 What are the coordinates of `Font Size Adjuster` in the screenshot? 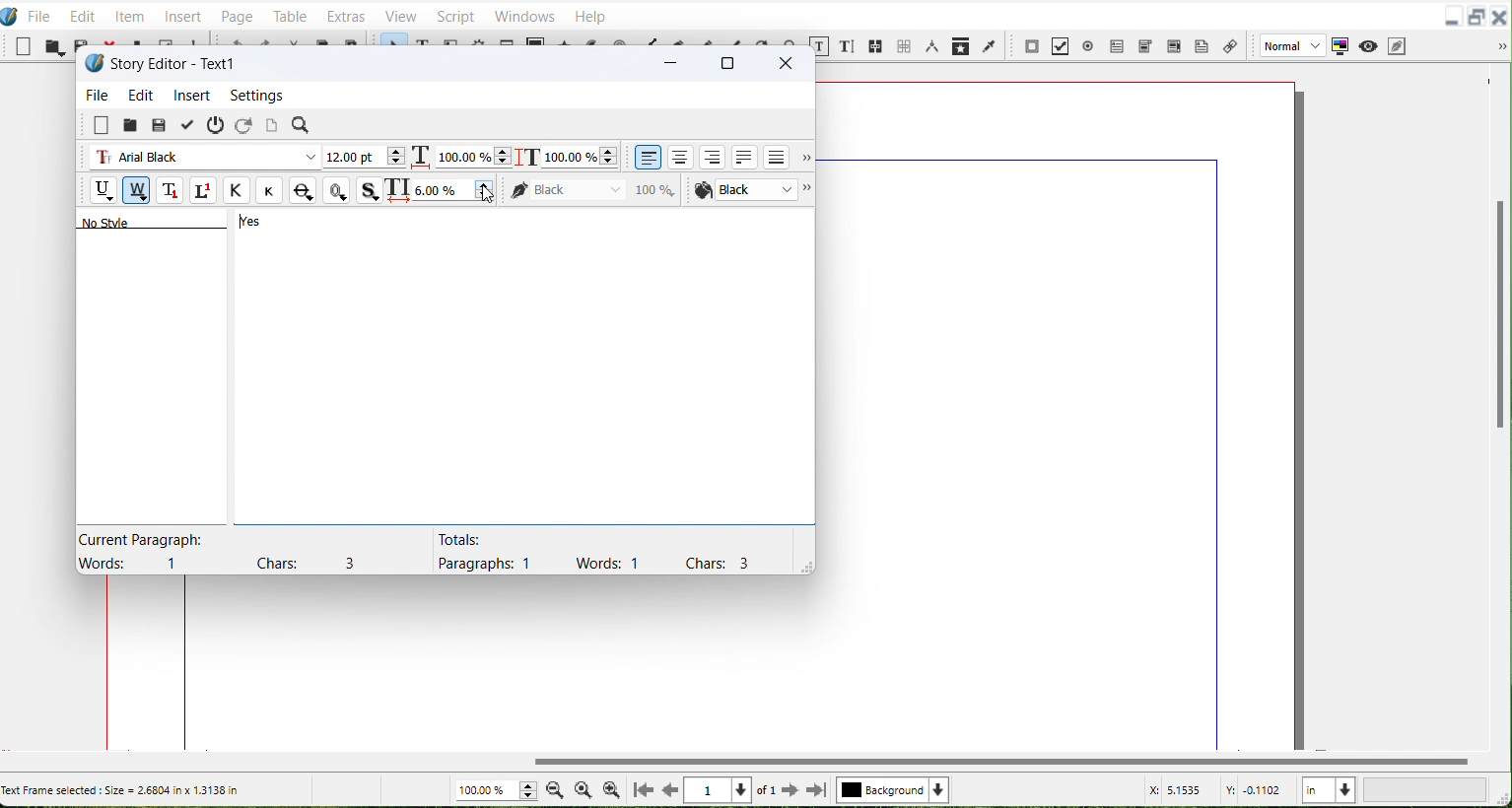 It's located at (363, 156).